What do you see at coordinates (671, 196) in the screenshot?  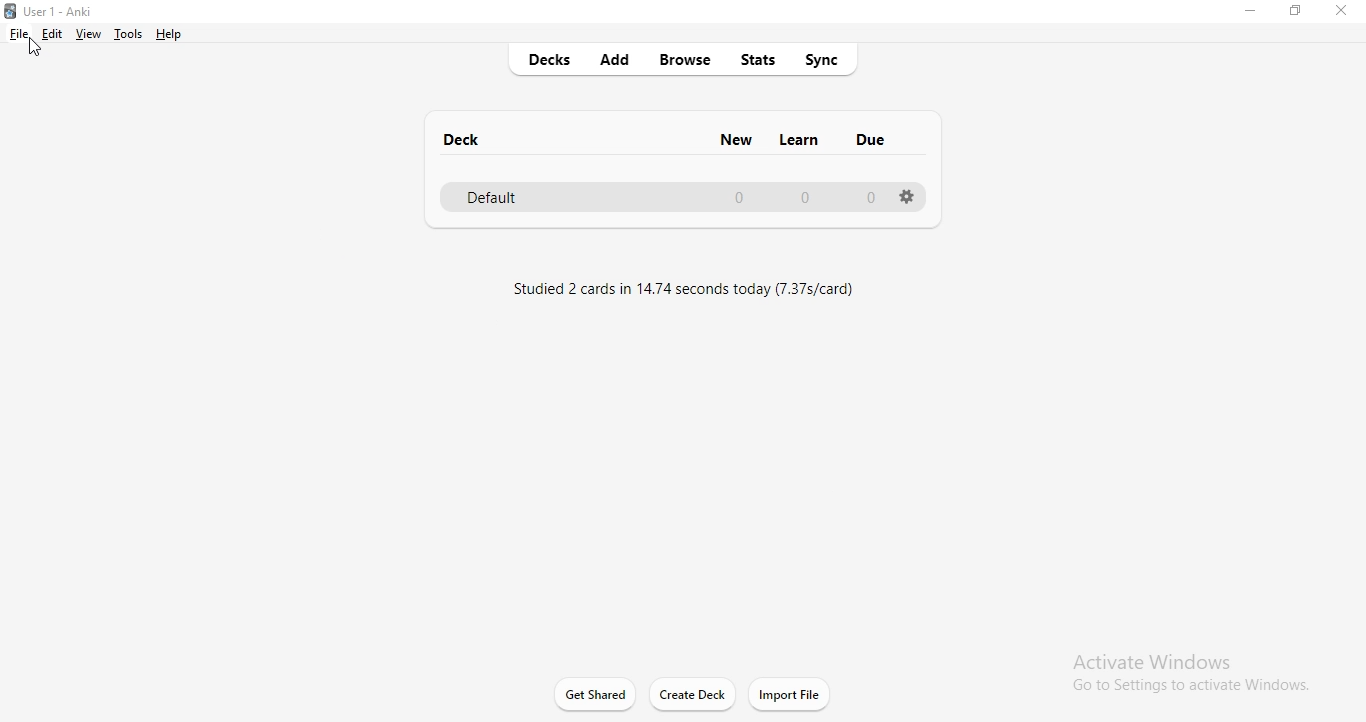 I see `defsult` at bounding box center [671, 196].